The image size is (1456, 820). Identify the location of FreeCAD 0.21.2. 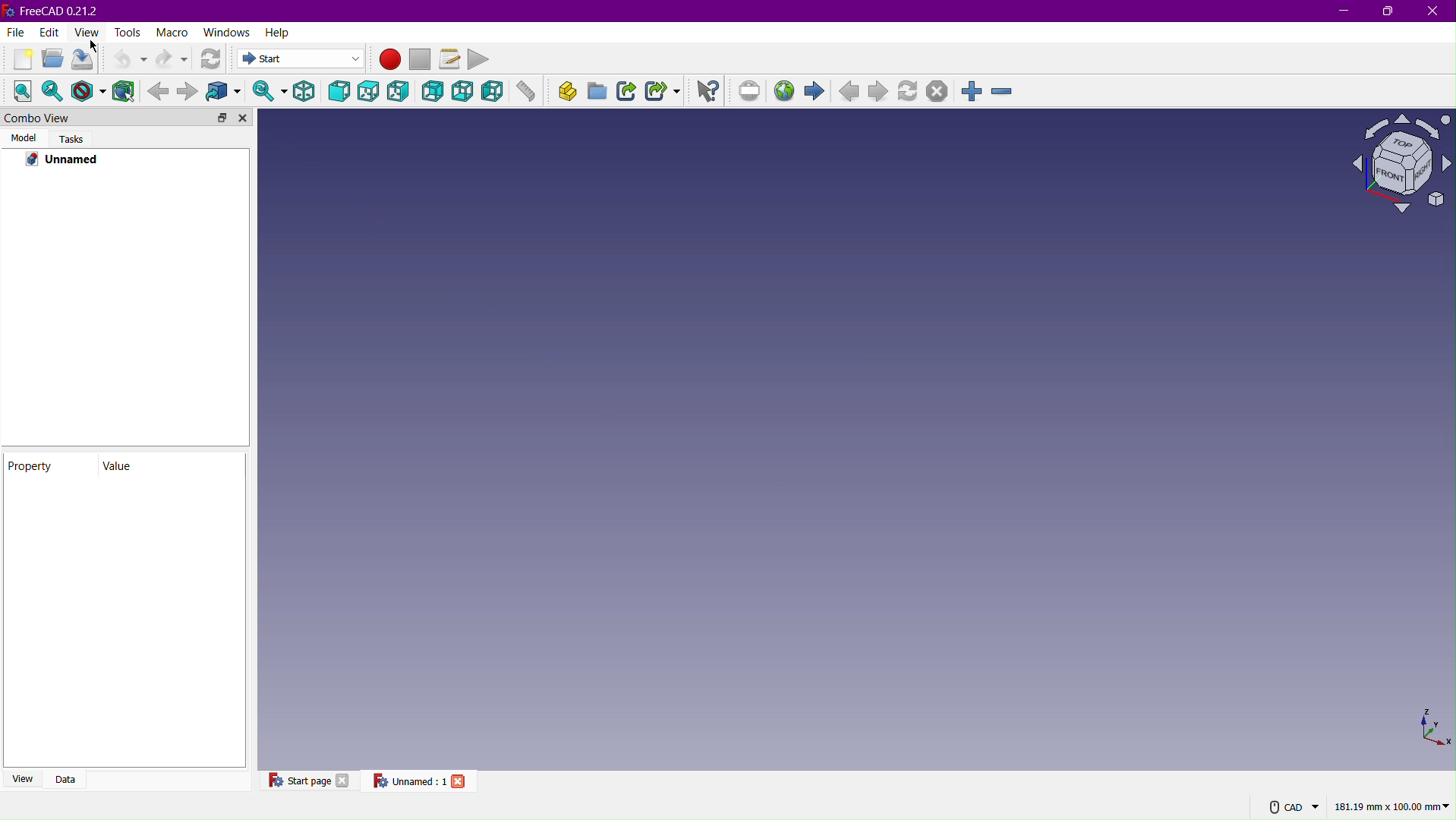
(55, 11).